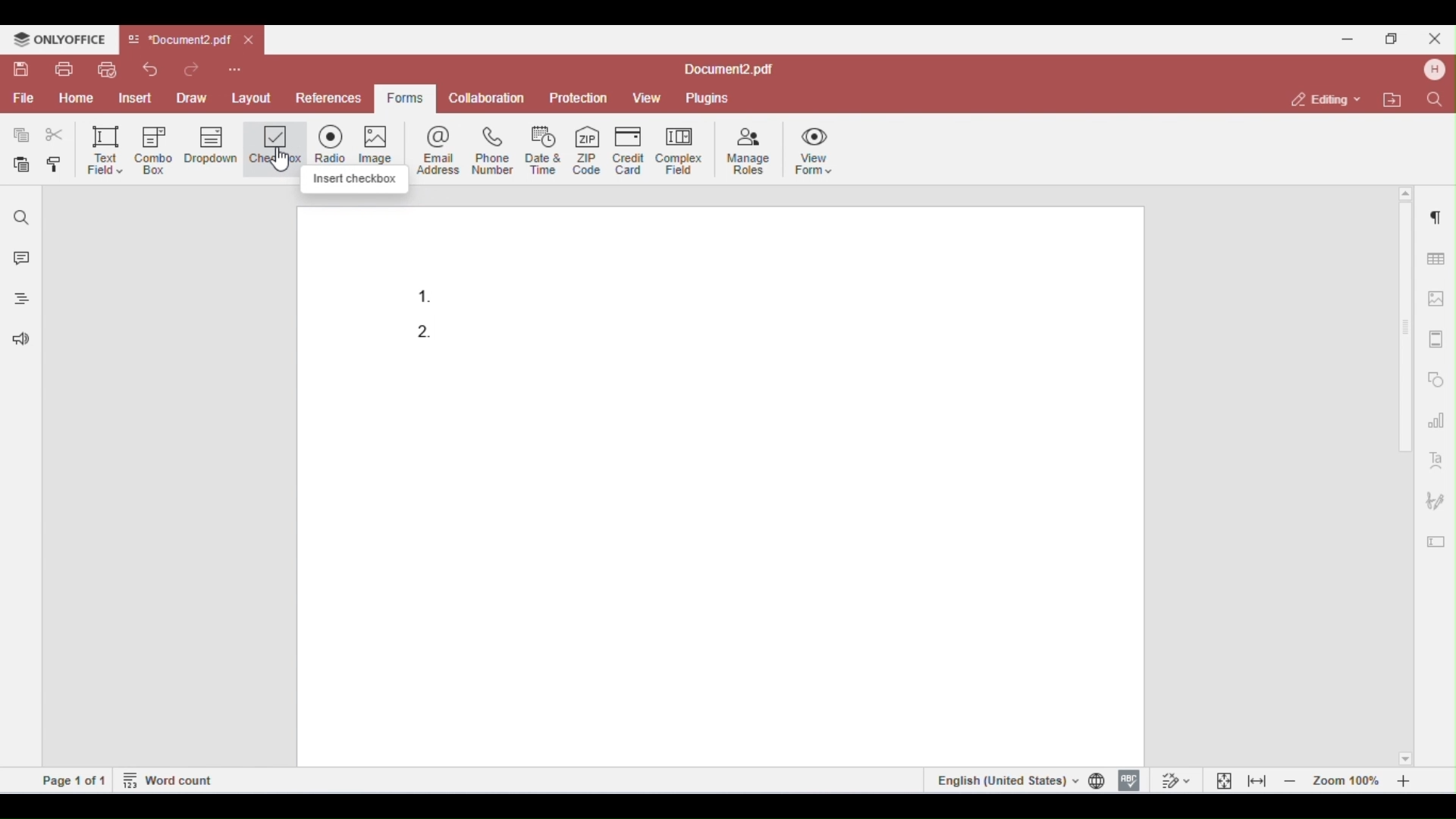  I want to click on find, so click(22, 218).